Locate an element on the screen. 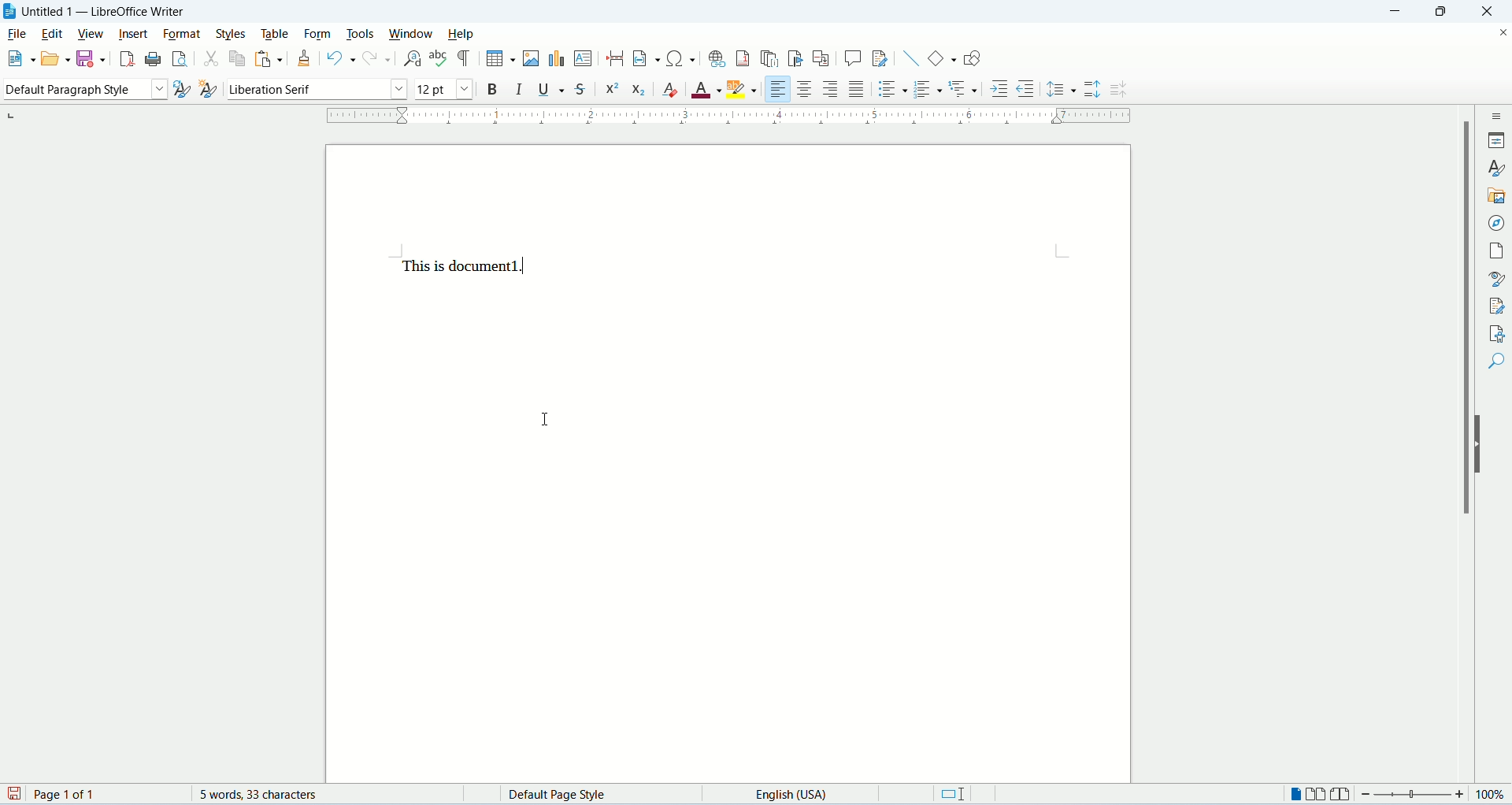 Image resolution: width=1512 pixels, height=805 pixels. insert textbox is located at coordinates (584, 58).